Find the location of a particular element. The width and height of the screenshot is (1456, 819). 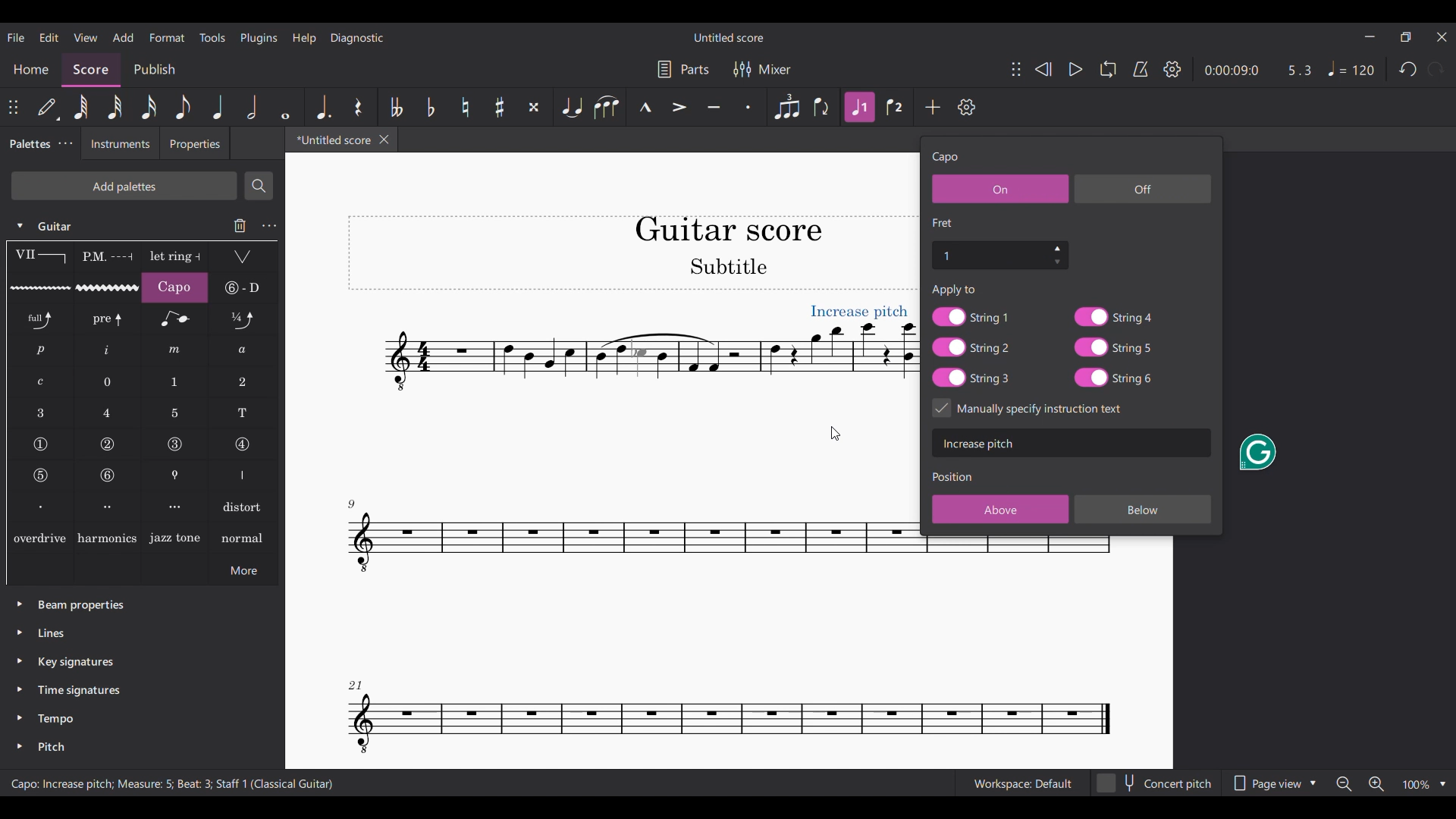

Publish is located at coordinates (155, 71).